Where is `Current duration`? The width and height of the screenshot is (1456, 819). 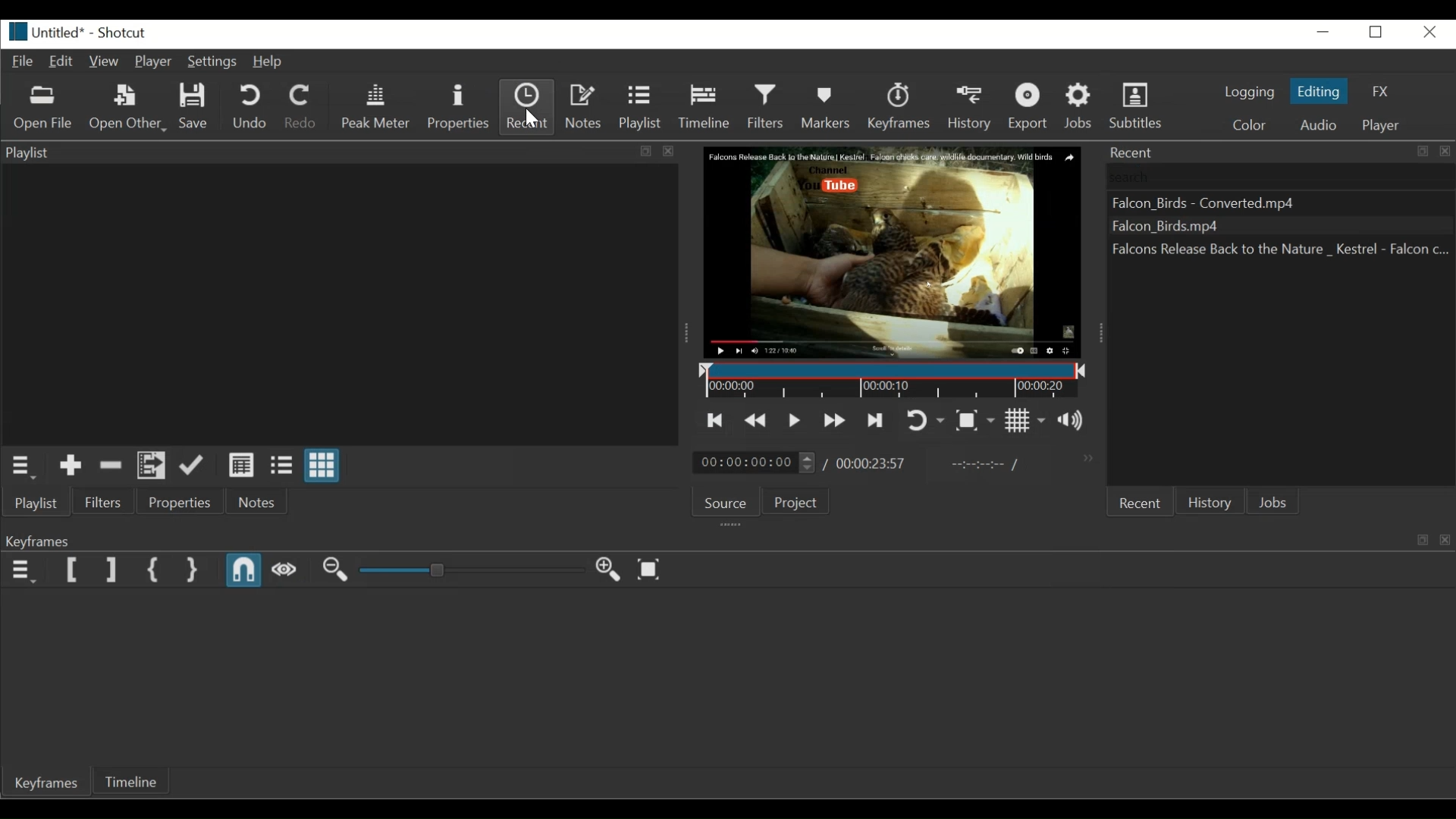 Current duration is located at coordinates (757, 463).